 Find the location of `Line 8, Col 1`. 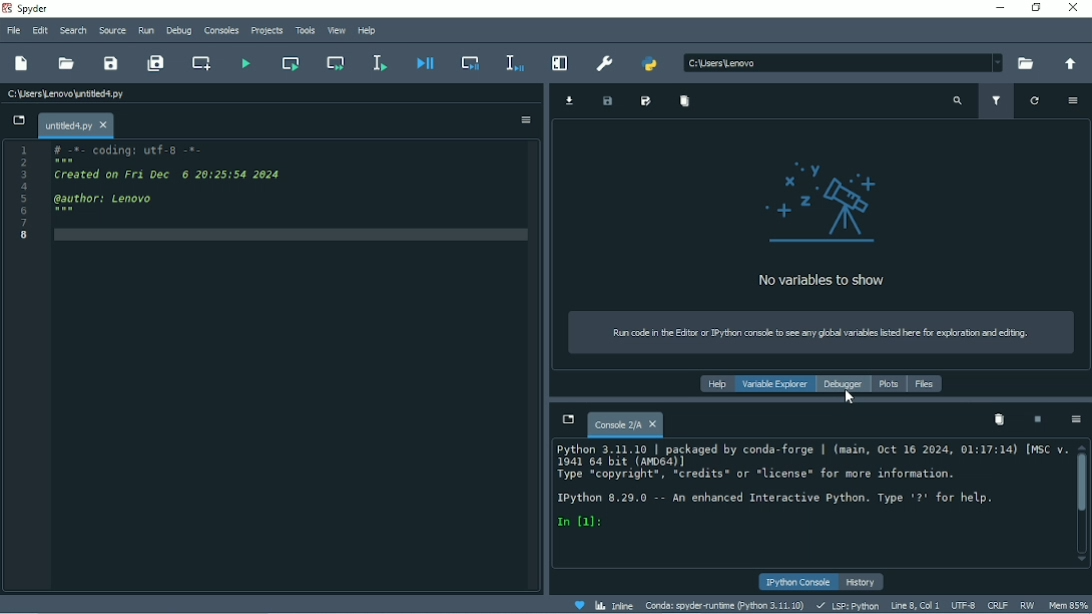

Line 8, Col 1 is located at coordinates (914, 605).